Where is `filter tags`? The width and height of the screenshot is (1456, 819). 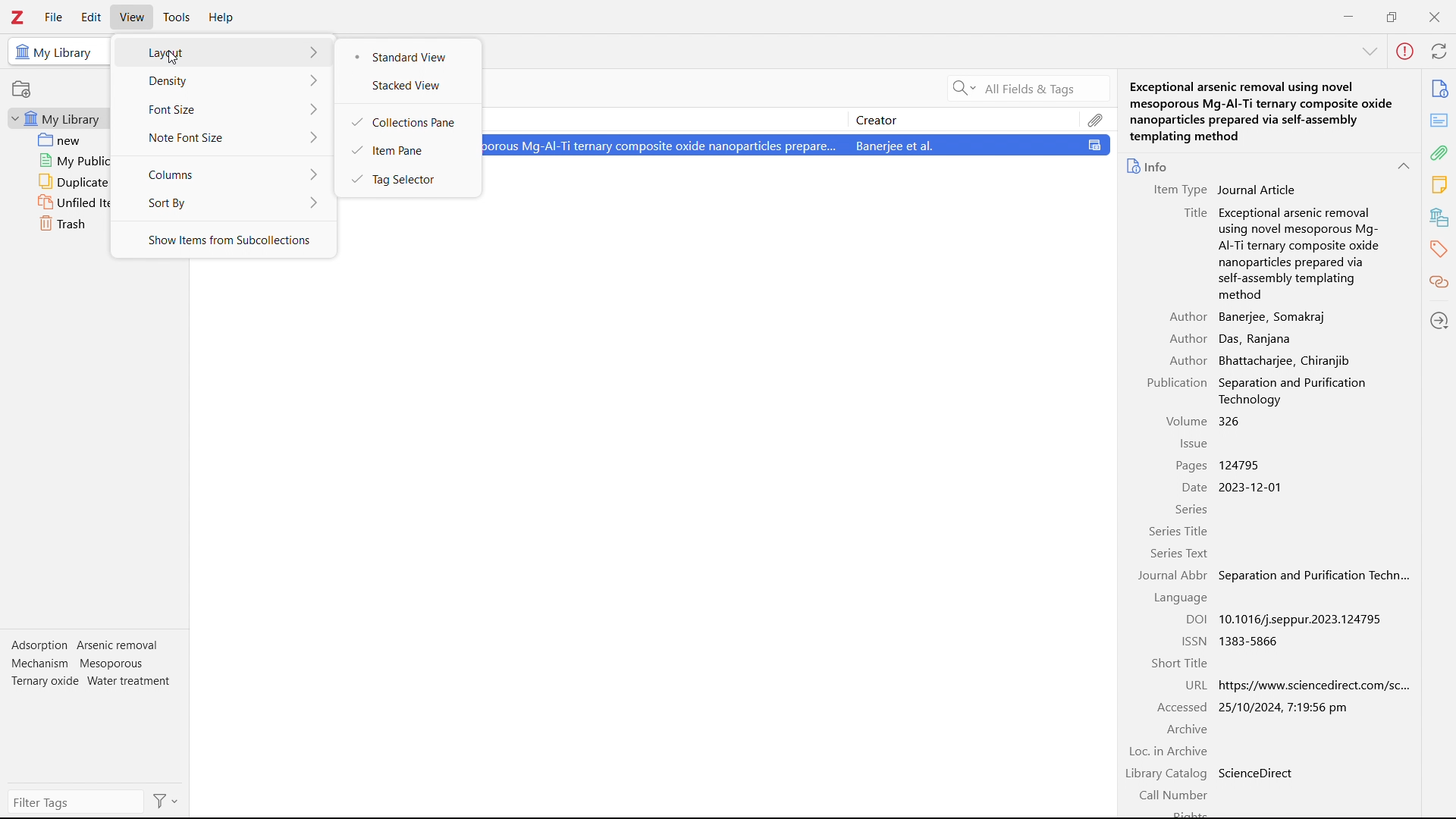
filter tags is located at coordinates (75, 802).